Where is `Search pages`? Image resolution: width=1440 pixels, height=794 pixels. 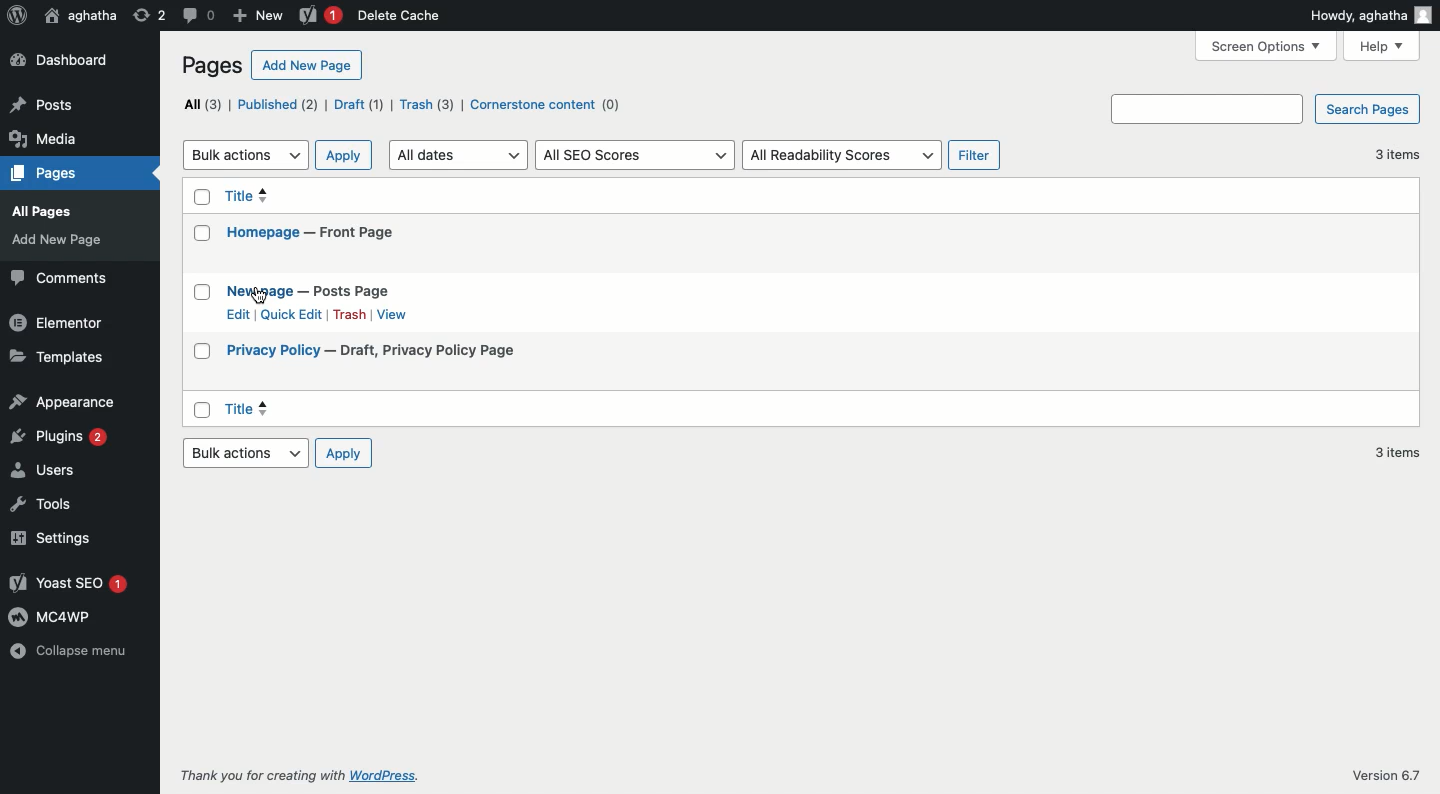 Search pages is located at coordinates (1367, 109).